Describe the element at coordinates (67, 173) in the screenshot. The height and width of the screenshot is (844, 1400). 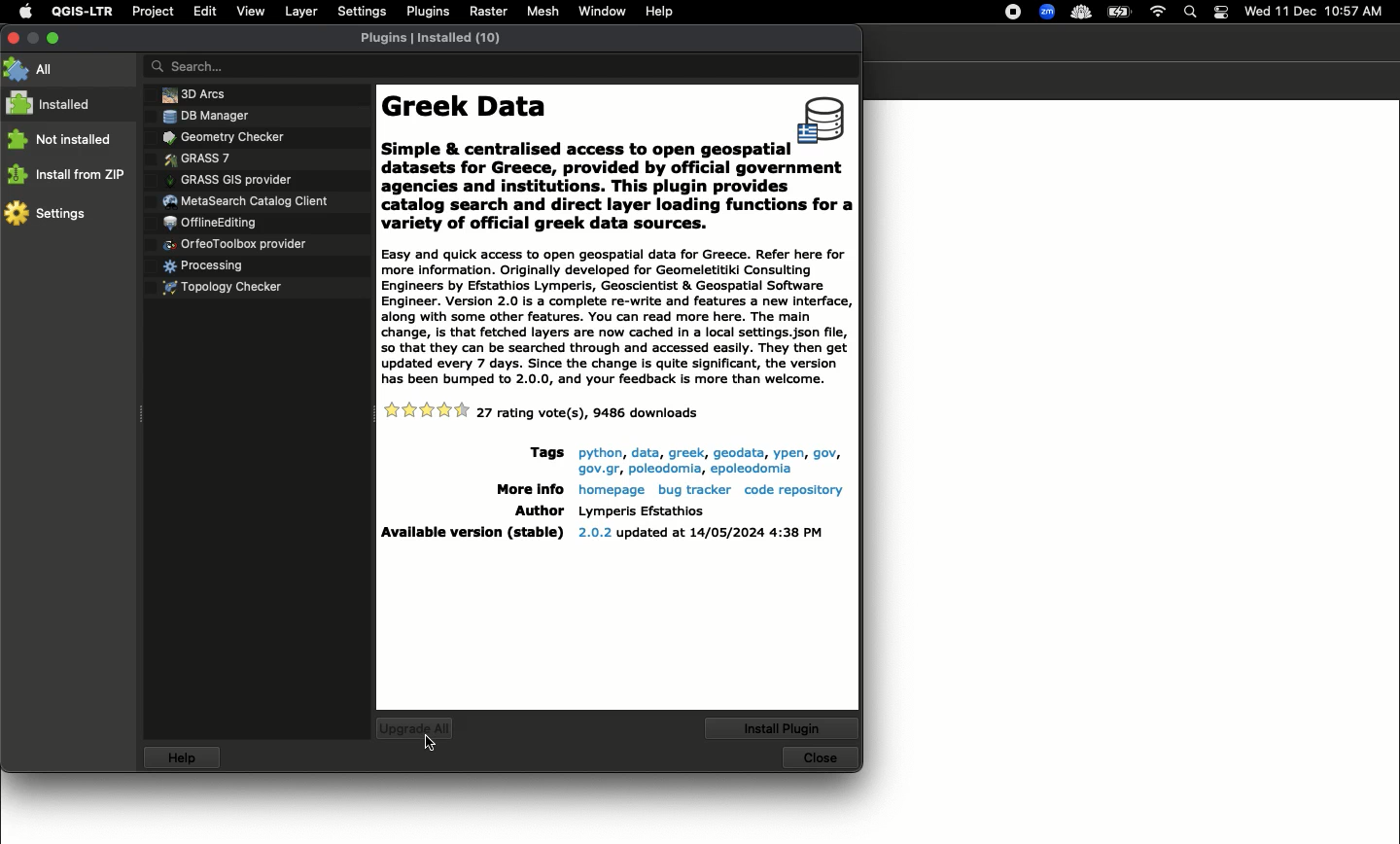
I see `Install from zip` at that location.